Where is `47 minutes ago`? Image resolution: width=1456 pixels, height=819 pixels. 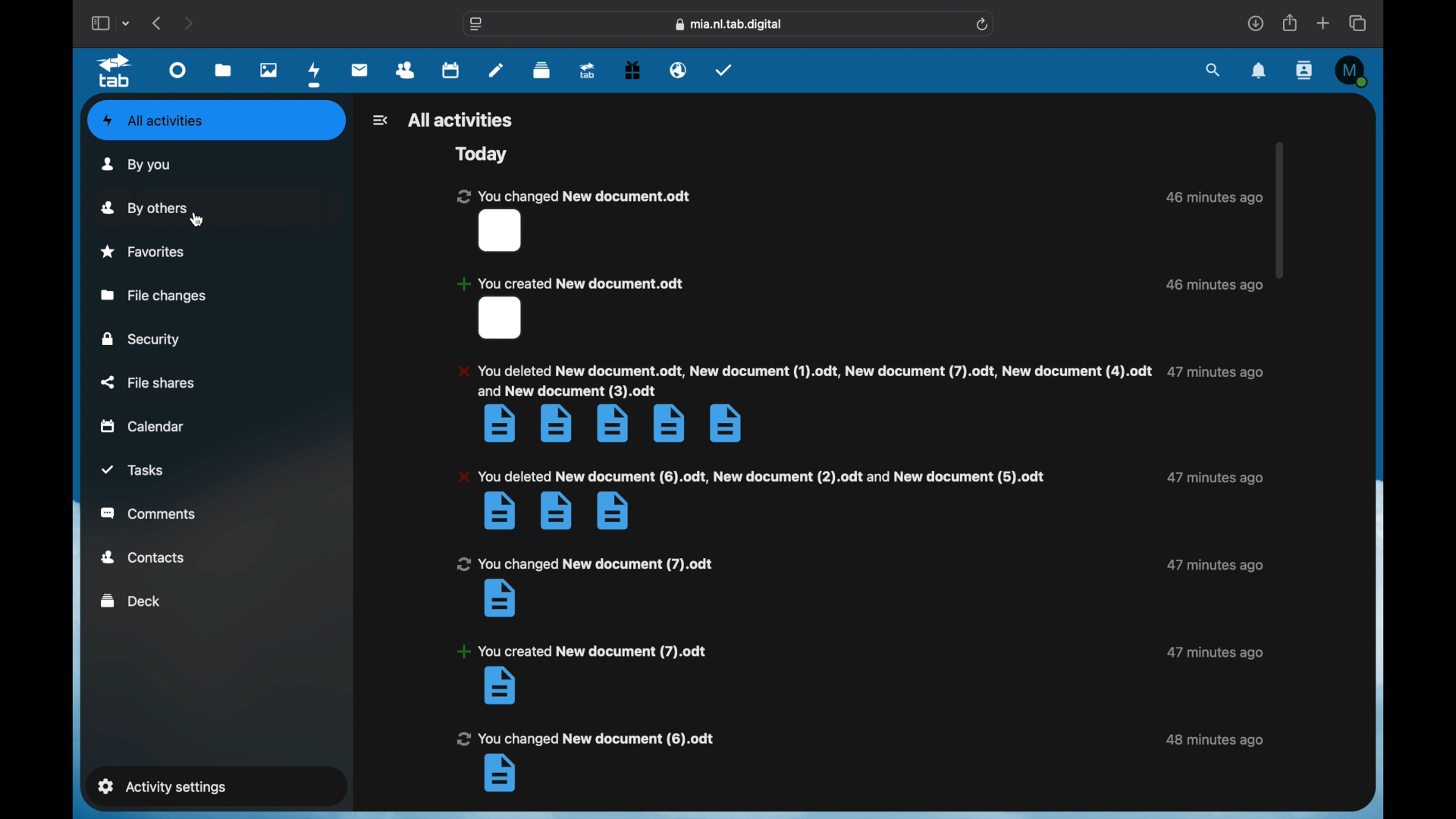
47 minutes ago is located at coordinates (1213, 652).